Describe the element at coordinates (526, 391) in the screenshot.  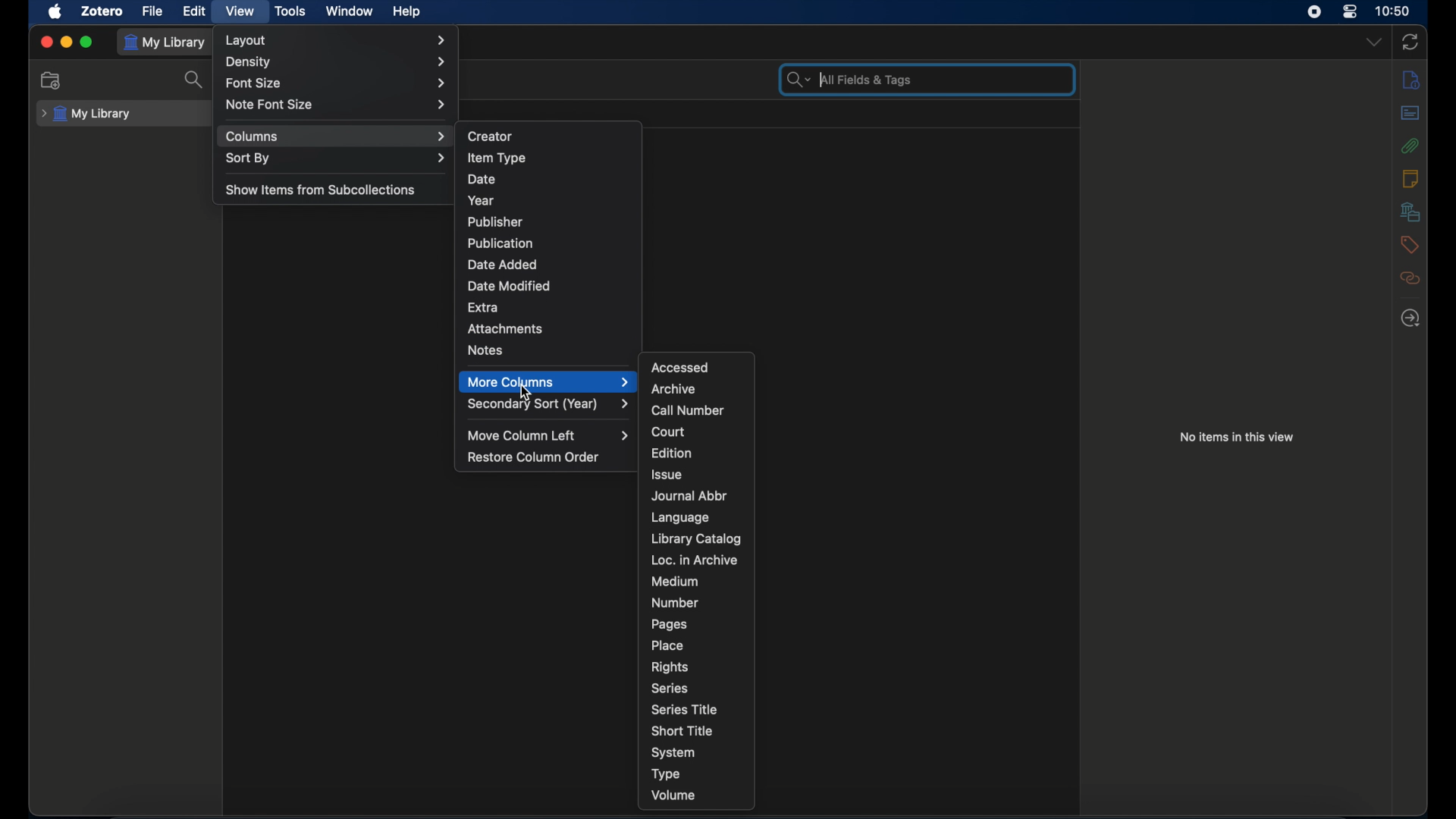
I see `cursor` at that location.